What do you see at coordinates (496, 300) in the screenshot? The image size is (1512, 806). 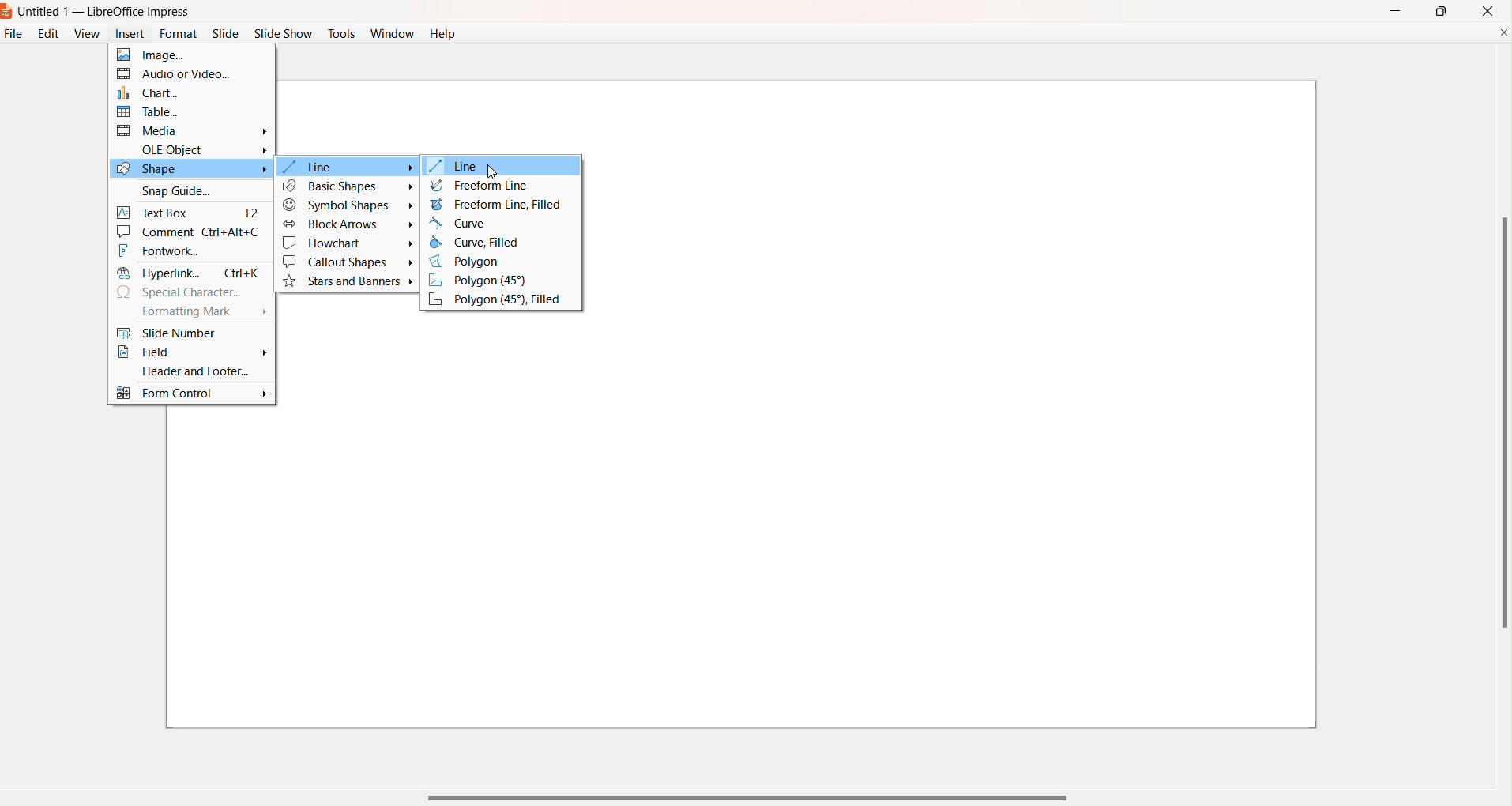 I see `Polygon (45) Degree, Filled` at bounding box center [496, 300].